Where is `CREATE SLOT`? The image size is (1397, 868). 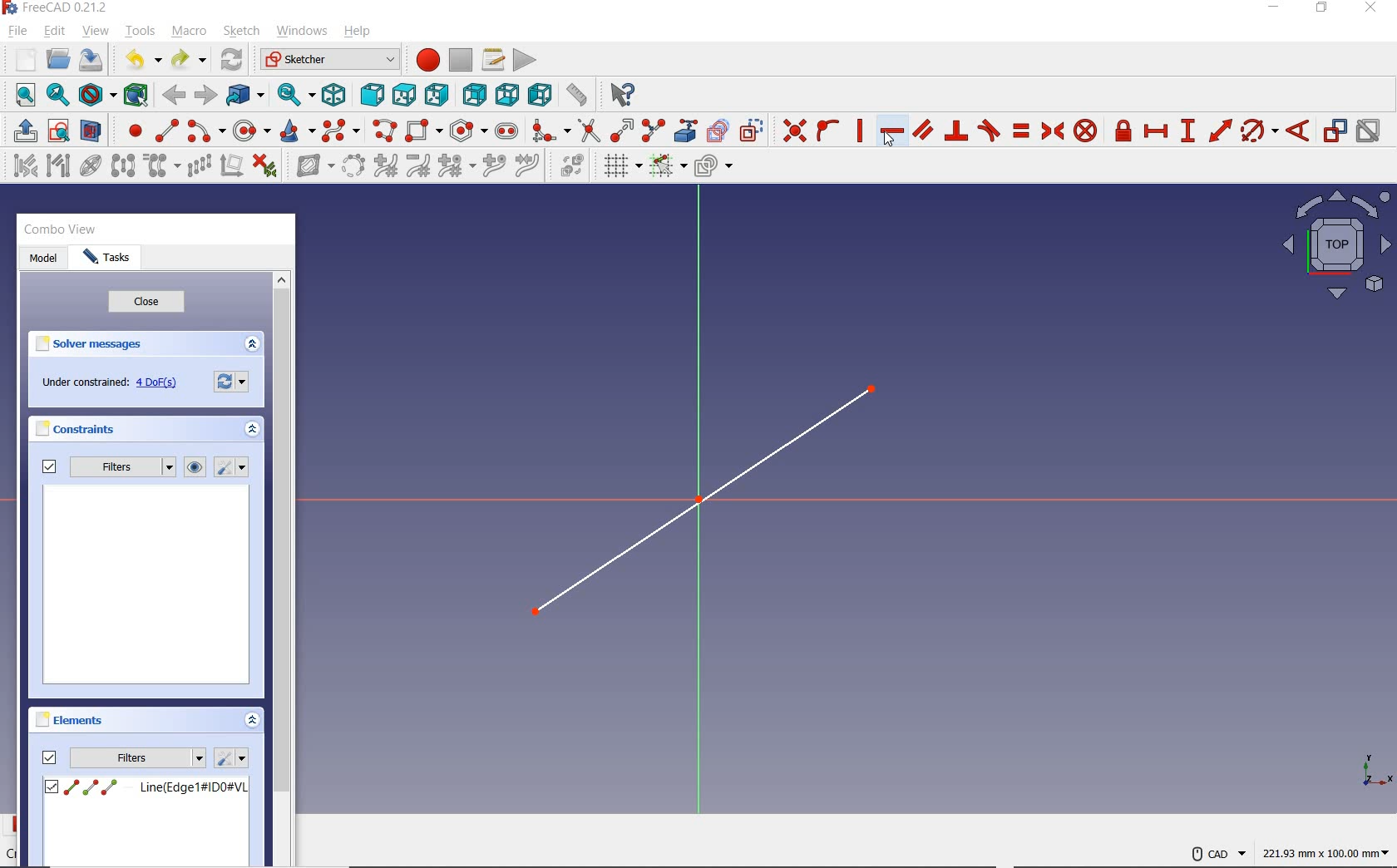 CREATE SLOT is located at coordinates (506, 131).